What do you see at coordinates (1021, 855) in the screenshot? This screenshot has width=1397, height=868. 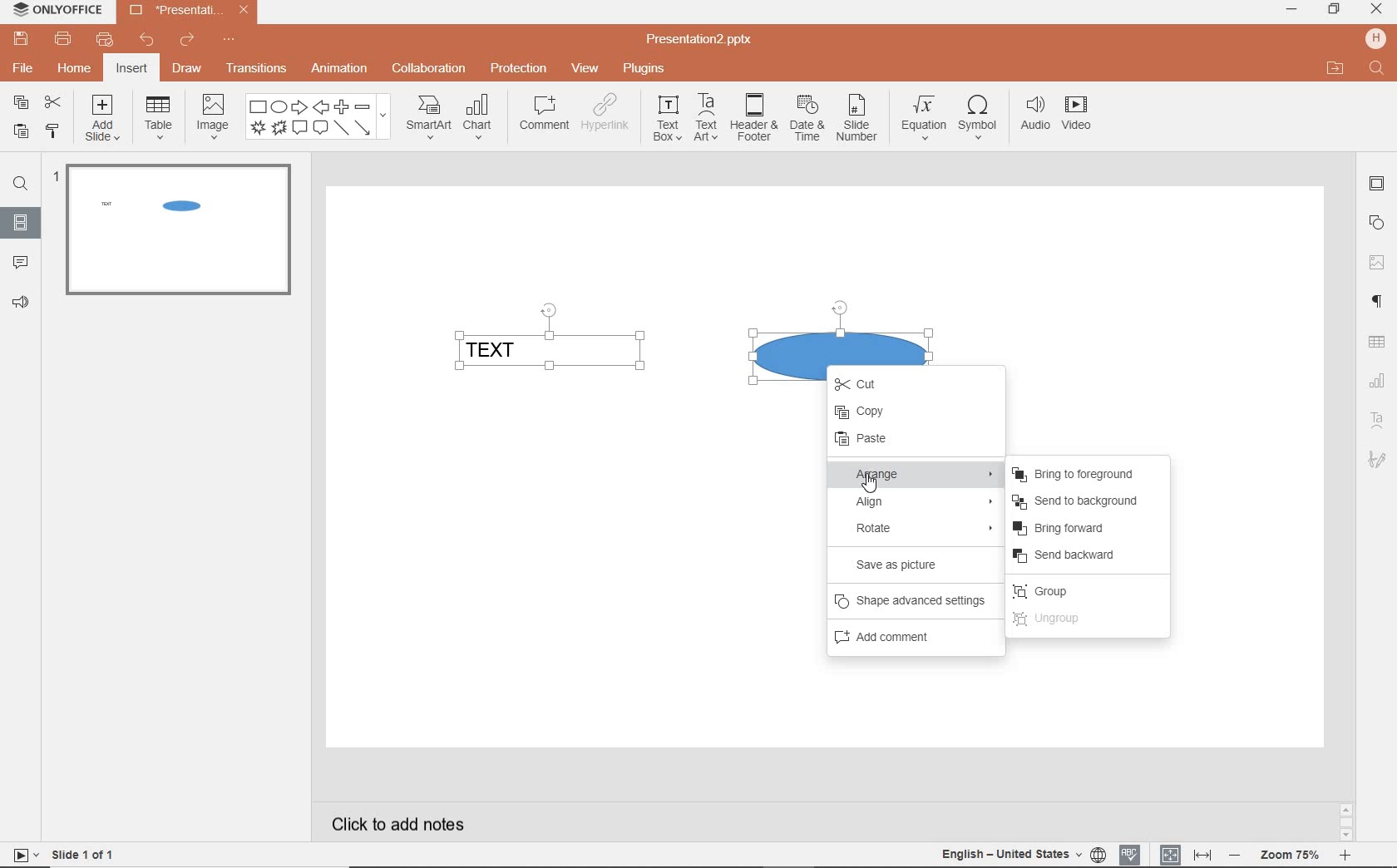 I see `TEXT LANGUAGE` at bounding box center [1021, 855].